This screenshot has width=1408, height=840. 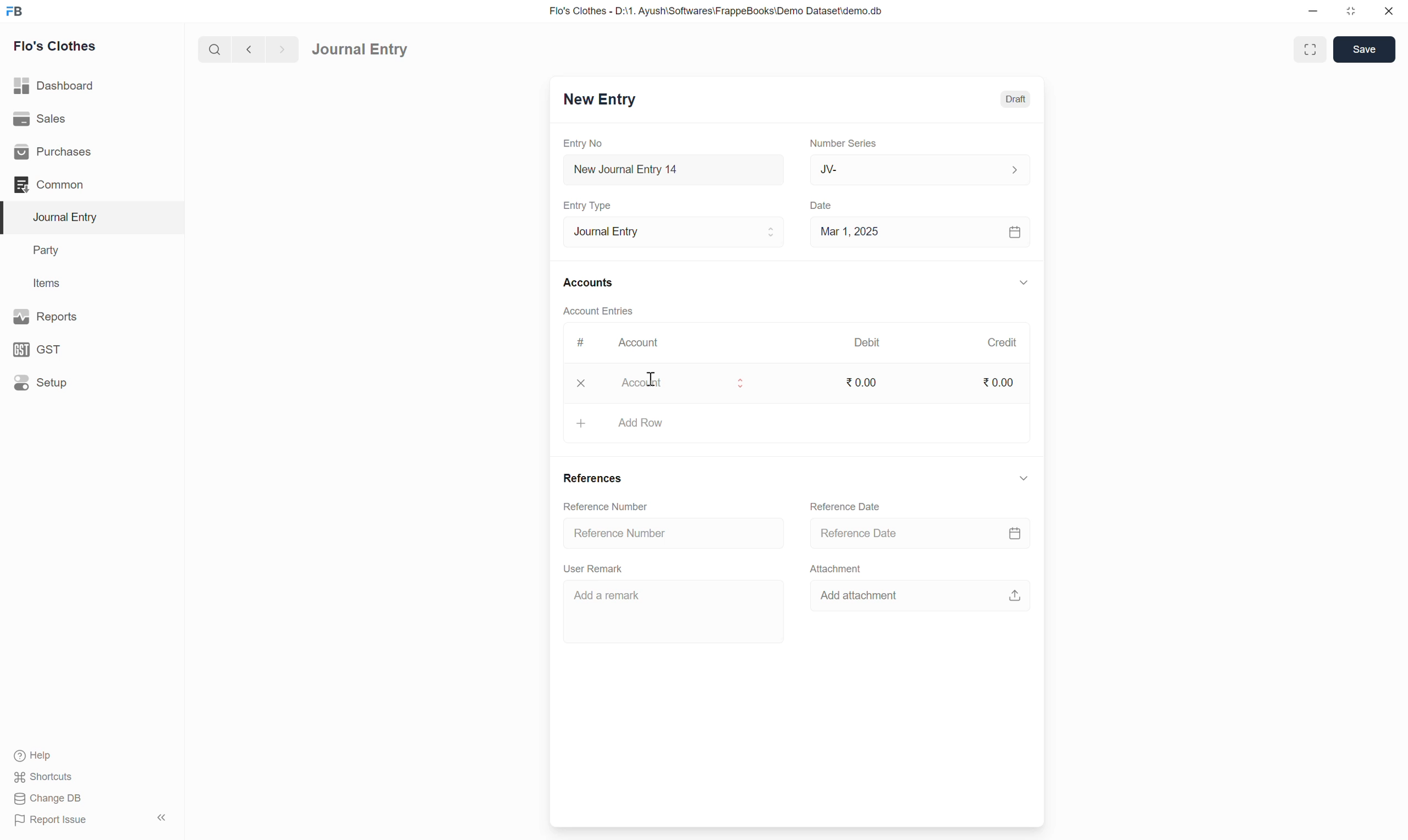 What do you see at coordinates (921, 169) in the screenshot?
I see `JV-` at bounding box center [921, 169].